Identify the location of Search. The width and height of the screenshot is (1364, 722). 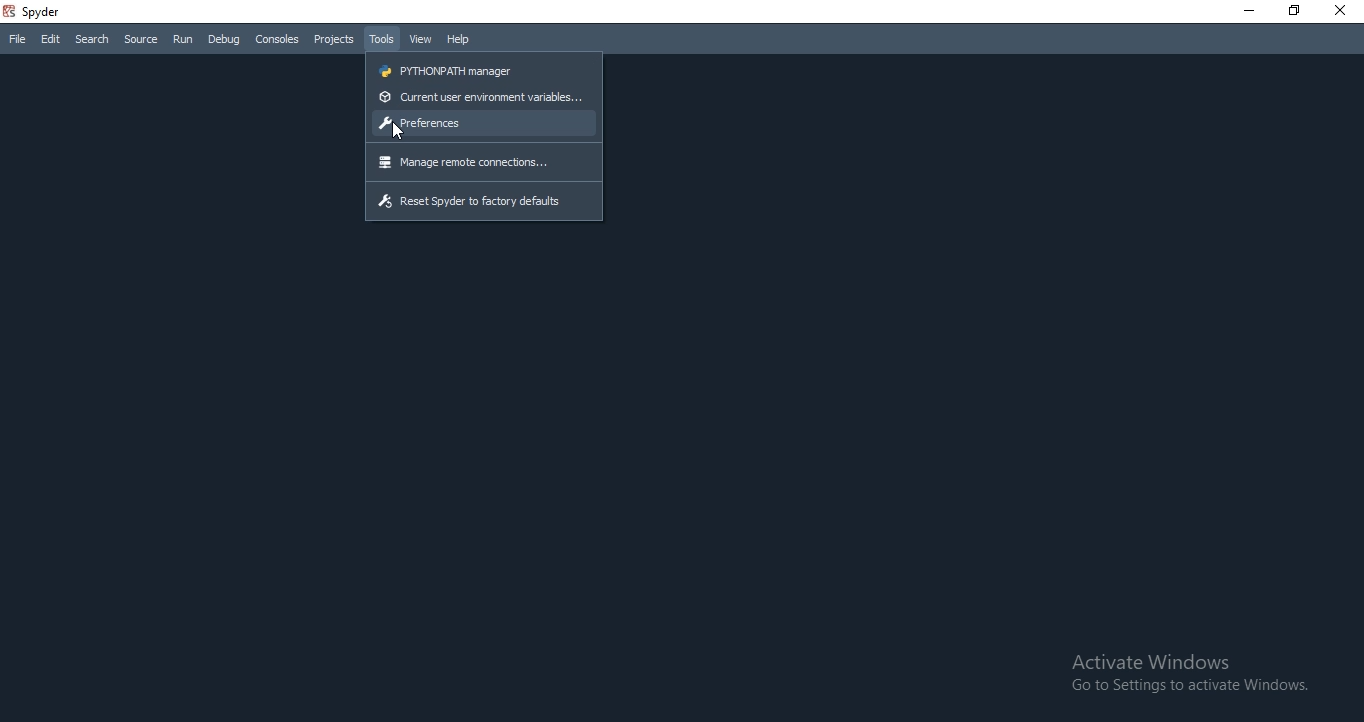
(93, 39).